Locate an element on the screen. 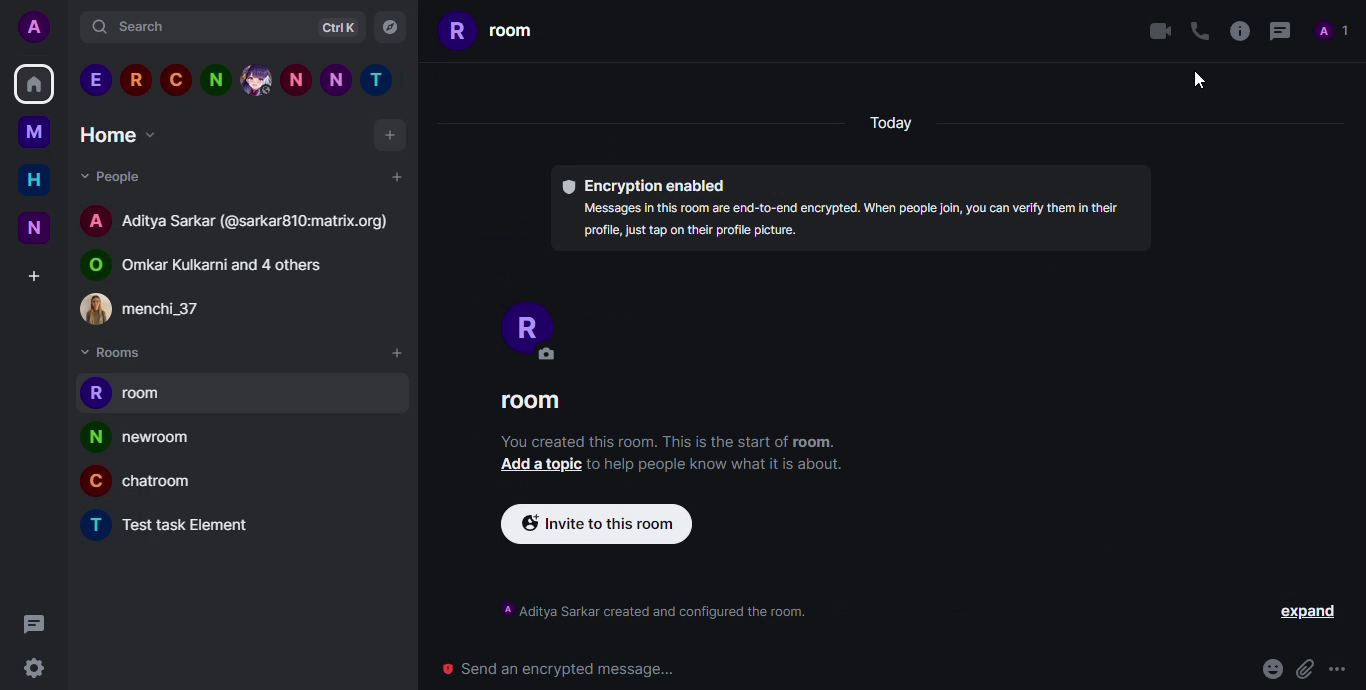 Image resolution: width=1366 pixels, height=690 pixels. add is located at coordinates (392, 138).